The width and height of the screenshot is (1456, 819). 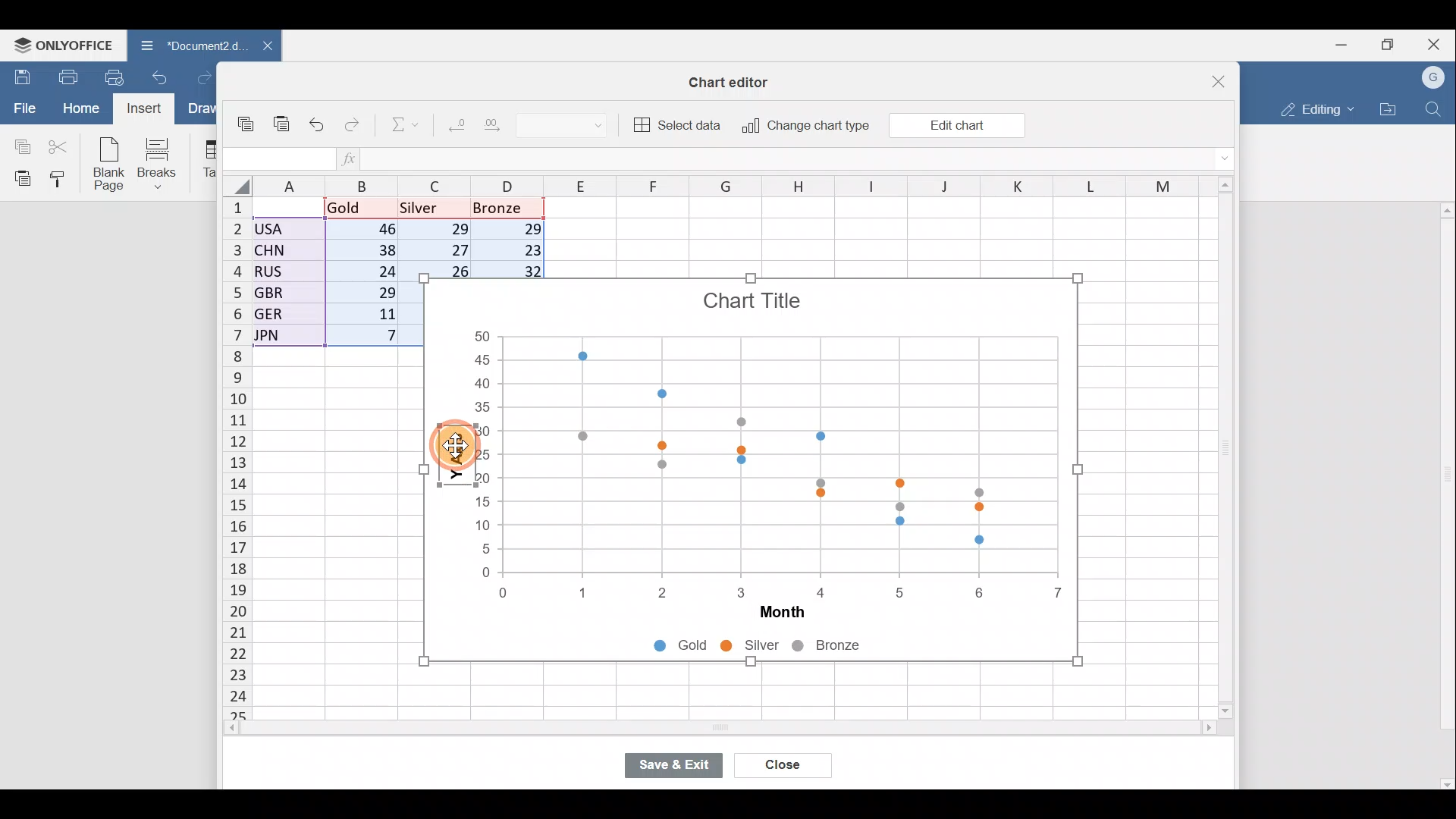 I want to click on Account name, so click(x=1435, y=76).